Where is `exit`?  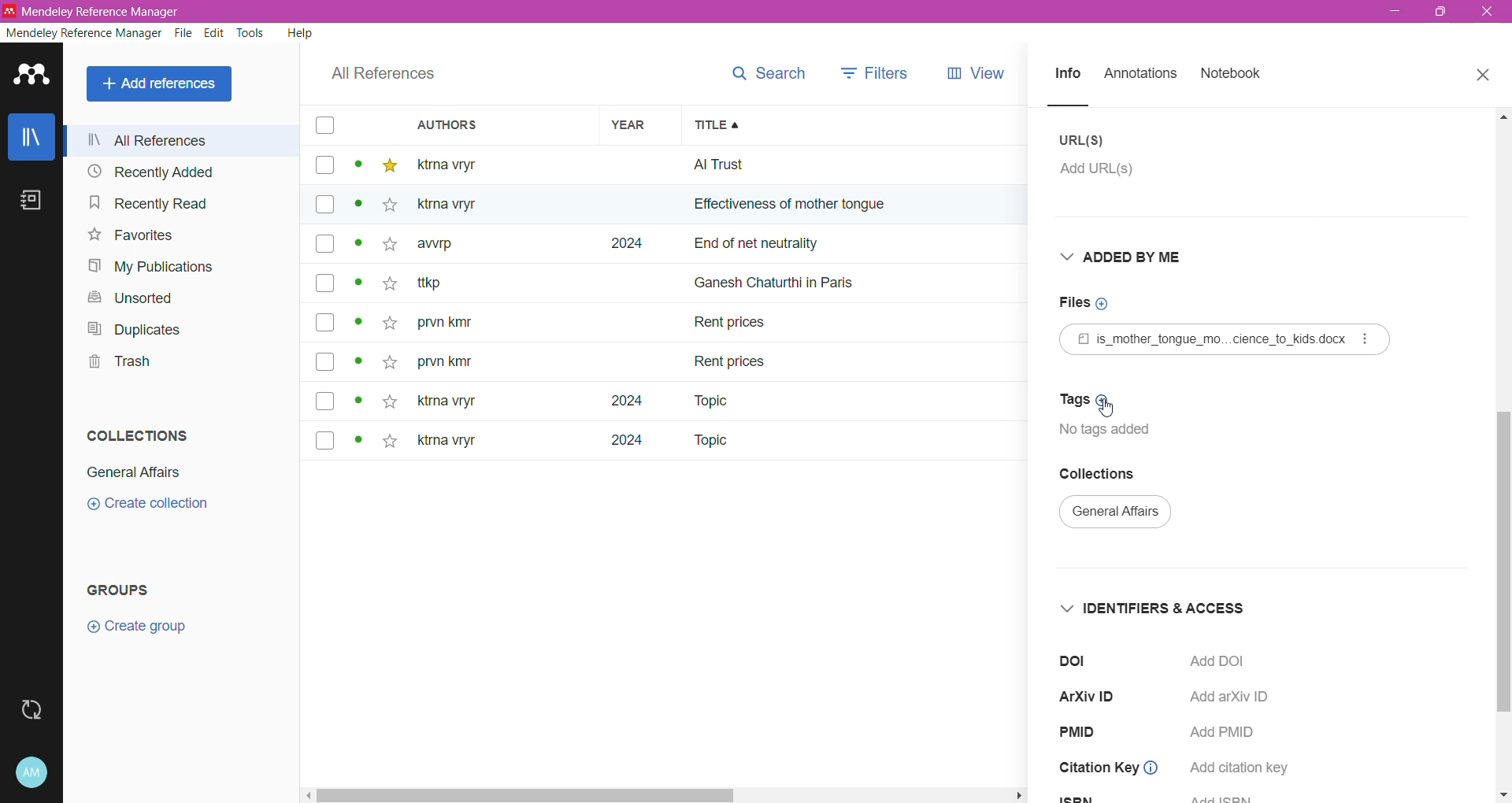
exit is located at coordinates (1490, 16).